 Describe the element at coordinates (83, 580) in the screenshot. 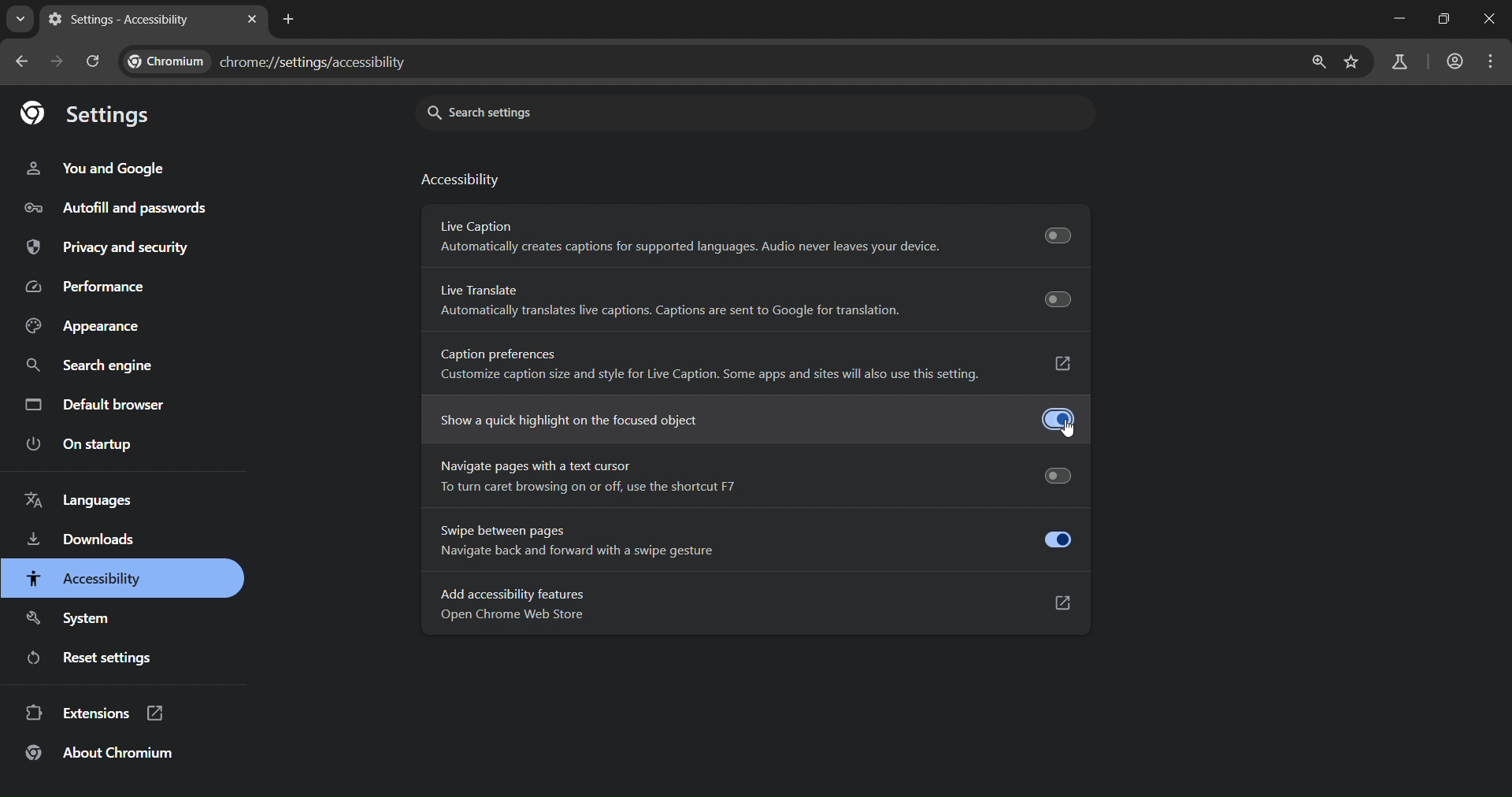

I see `accessibility` at that location.